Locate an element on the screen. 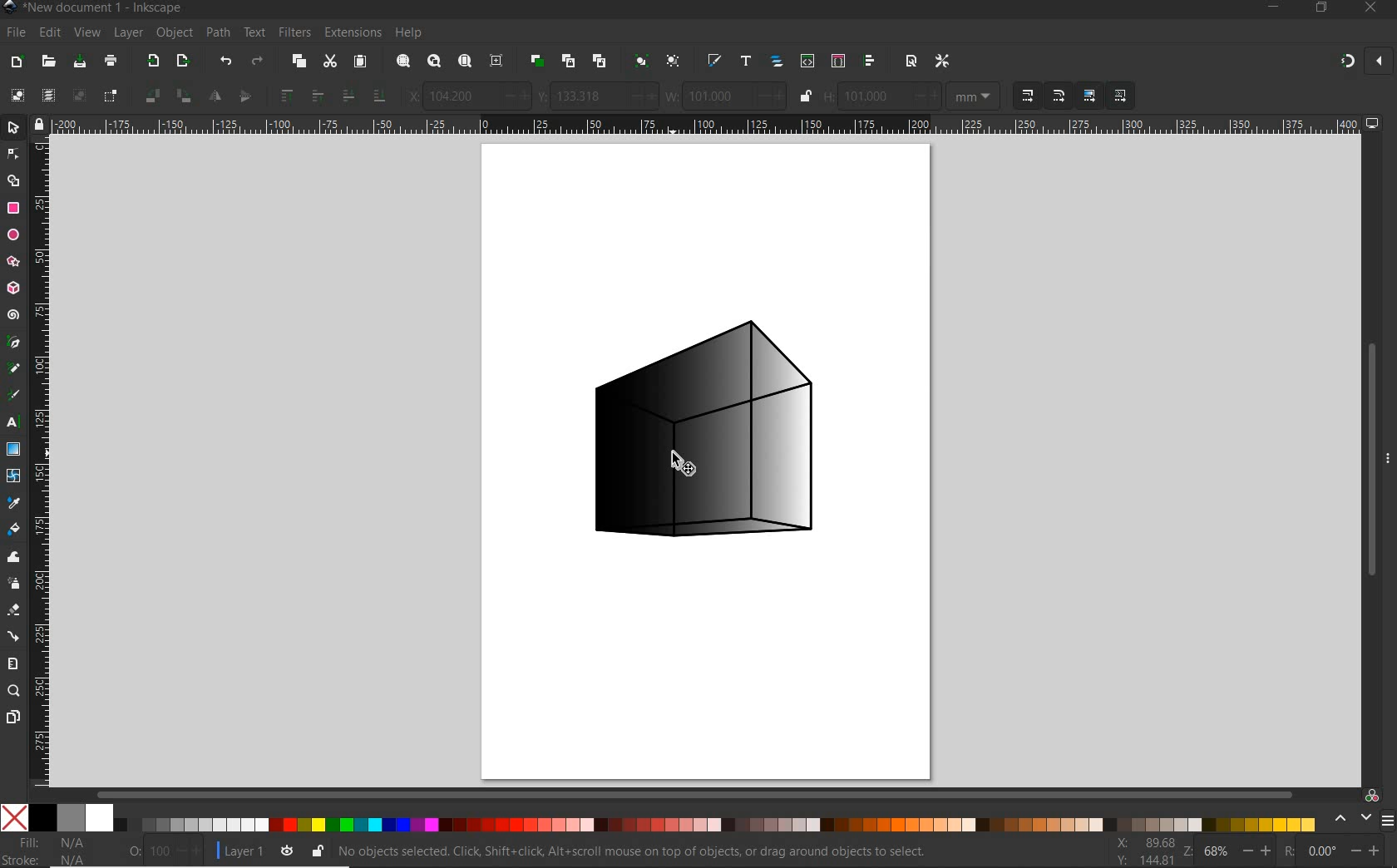  EDIT is located at coordinates (50, 33).